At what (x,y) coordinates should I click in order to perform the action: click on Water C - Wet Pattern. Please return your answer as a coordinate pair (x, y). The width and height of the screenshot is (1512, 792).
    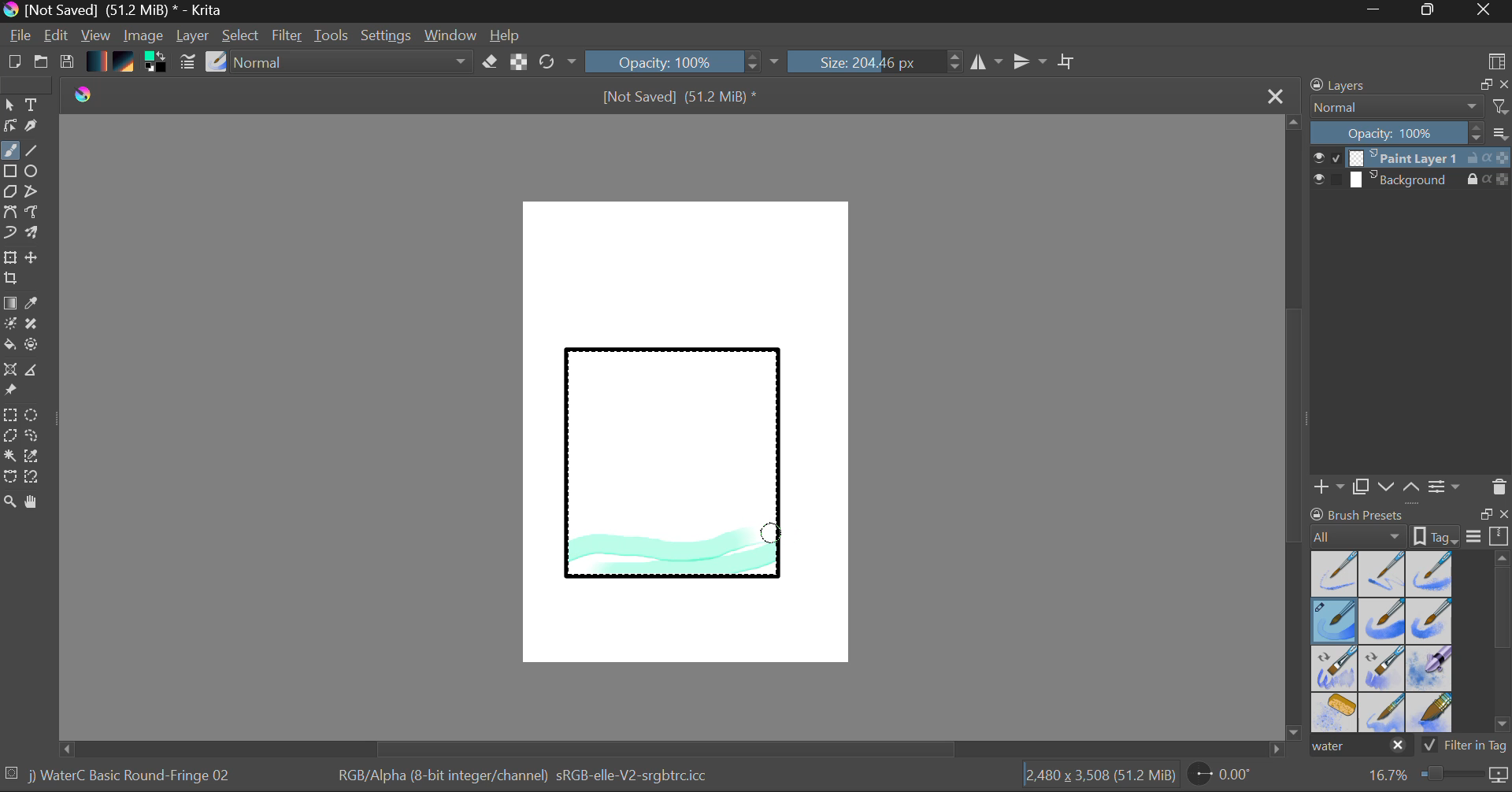
    Looking at the image, I should click on (1429, 574).